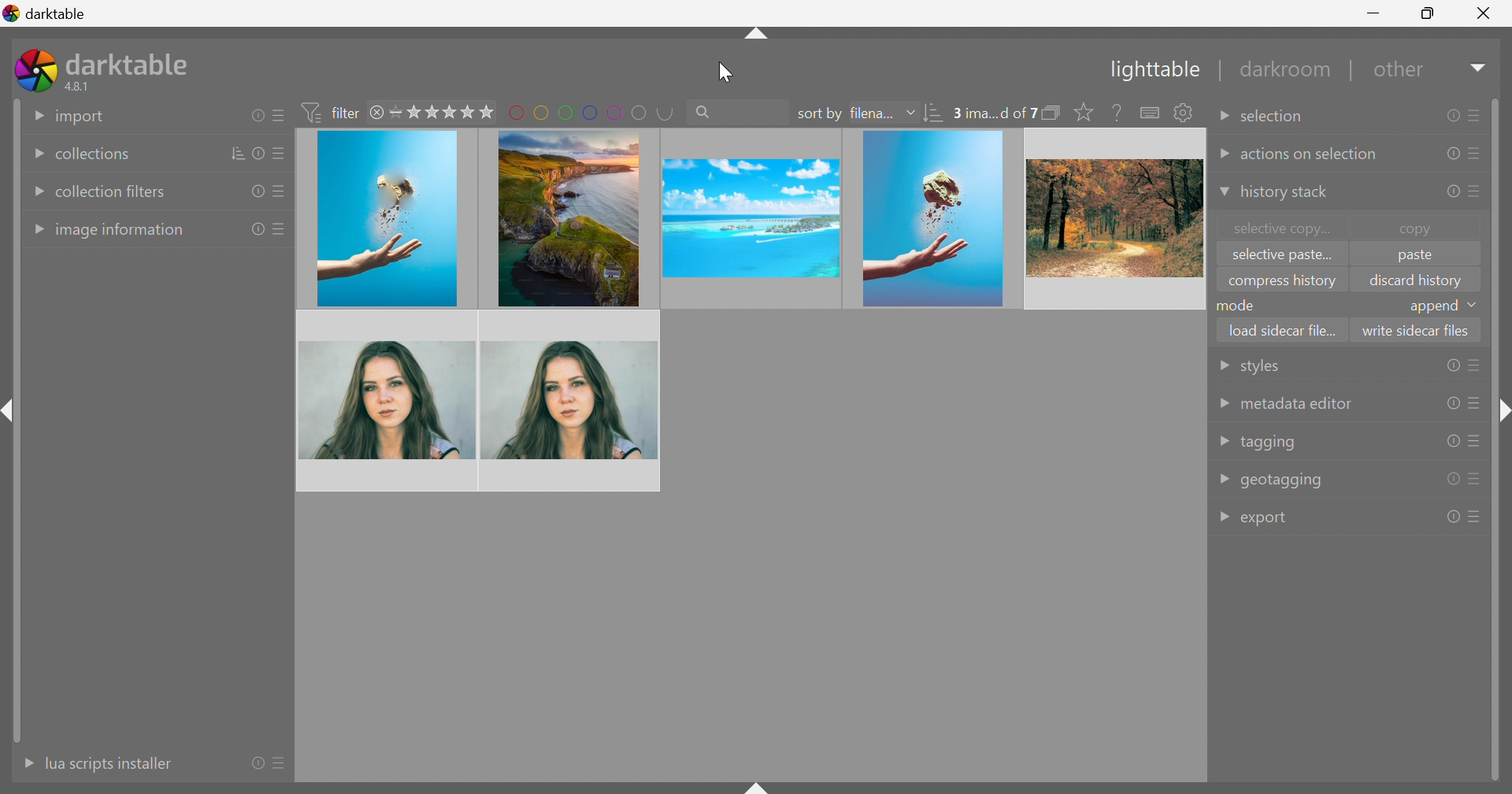  Describe the element at coordinates (1416, 329) in the screenshot. I see `write sidecar files` at that location.